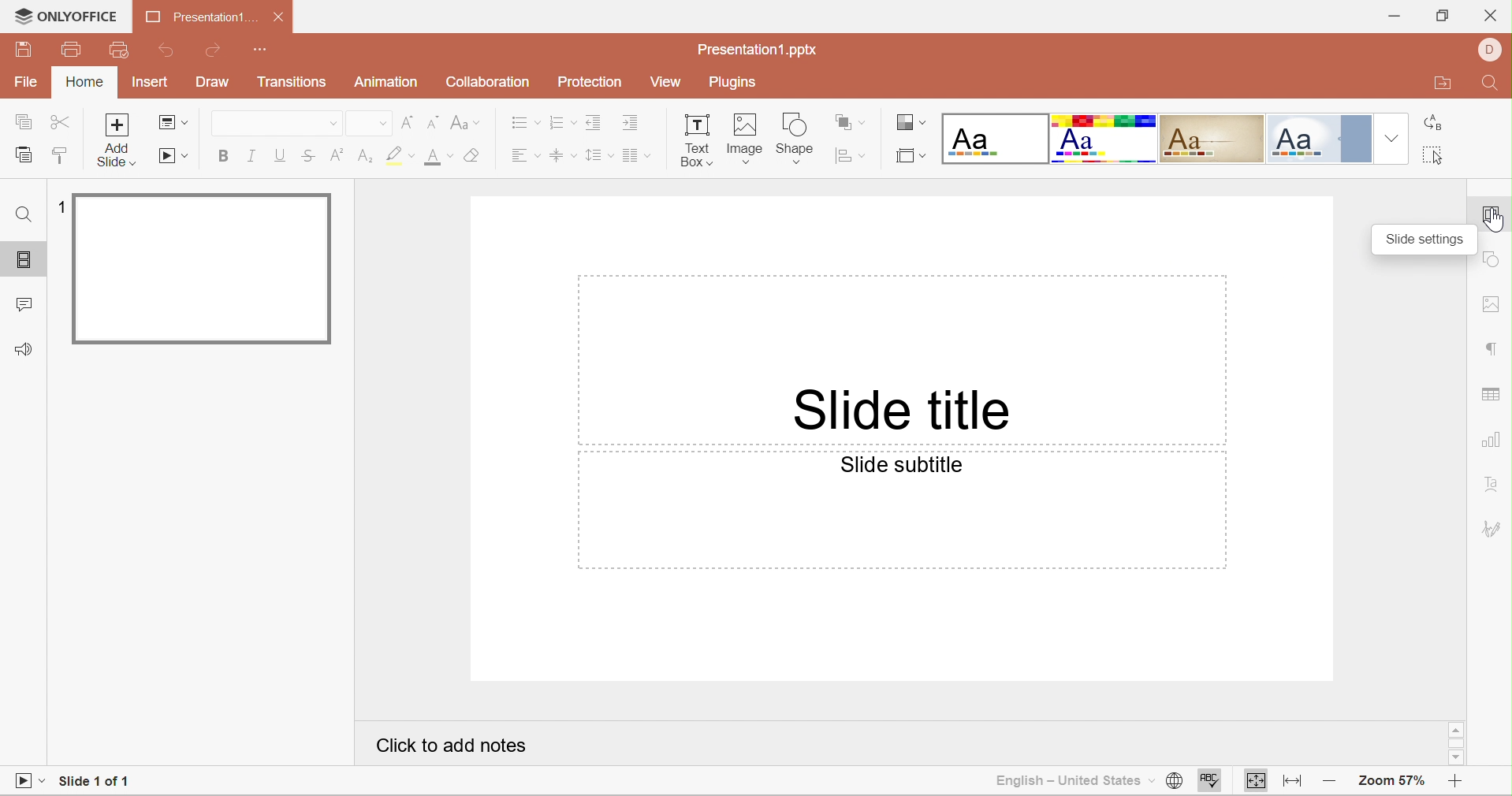 This screenshot has height=796, width=1512. What do you see at coordinates (215, 83) in the screenshot?
I see `Draw` at bounding box center [215, 83].